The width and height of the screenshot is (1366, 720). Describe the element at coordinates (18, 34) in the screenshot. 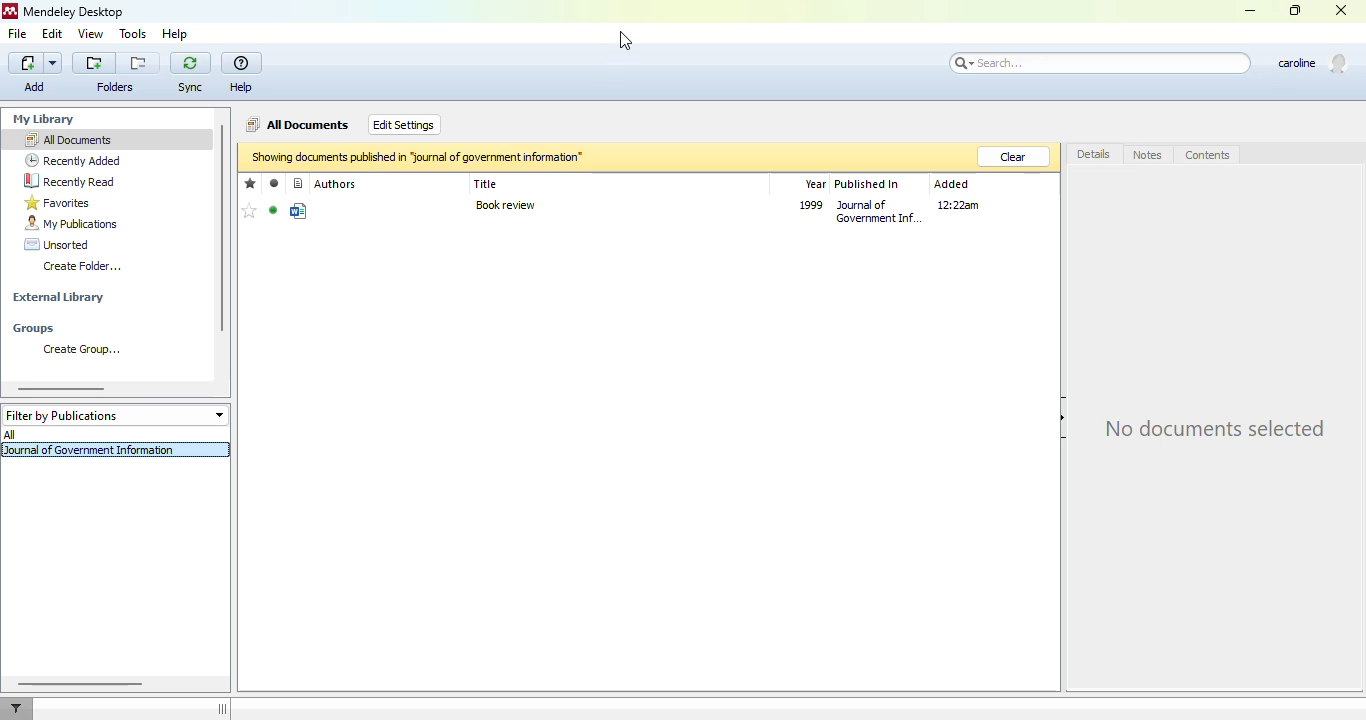

I see `file` at that location.